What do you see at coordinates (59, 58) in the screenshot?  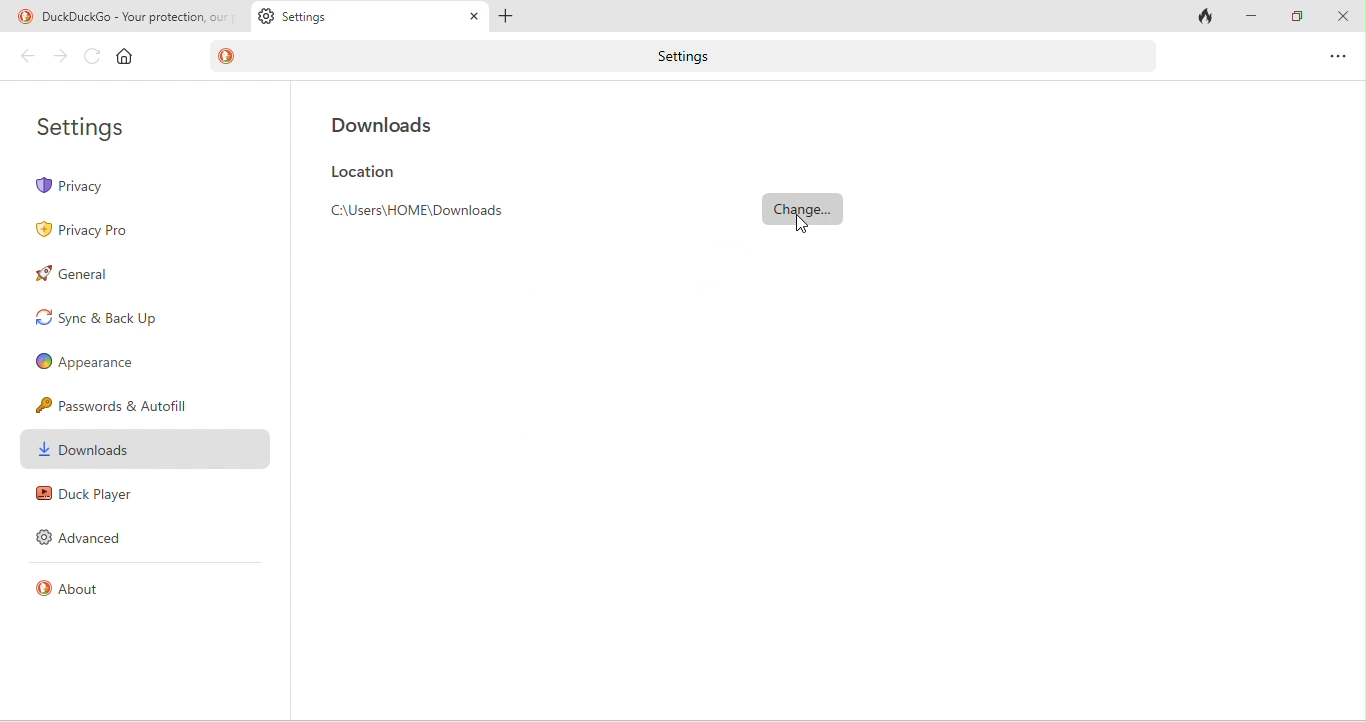 I see `forward` at bounding box center [59, 58].